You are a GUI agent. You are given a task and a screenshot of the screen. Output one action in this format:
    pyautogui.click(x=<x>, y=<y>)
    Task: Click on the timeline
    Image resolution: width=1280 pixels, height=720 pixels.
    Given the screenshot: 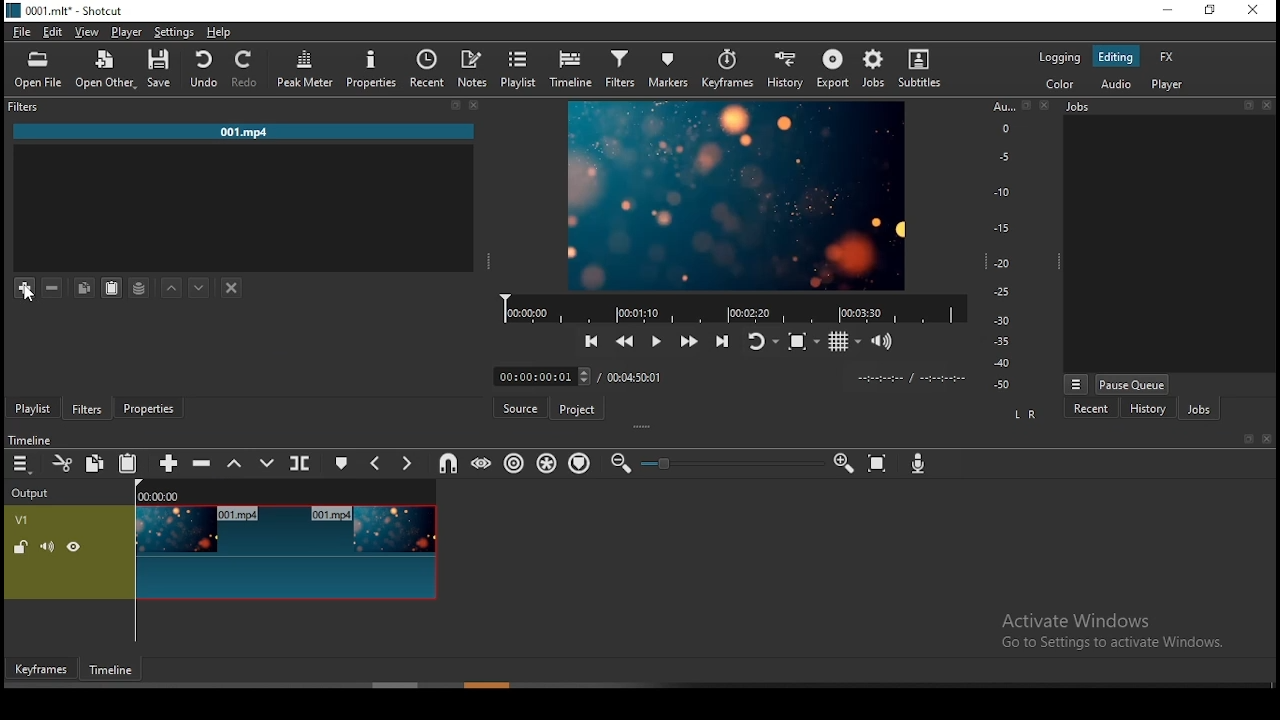 What is the action you would take?
    pyautogui.click(x=31, y=437)
    